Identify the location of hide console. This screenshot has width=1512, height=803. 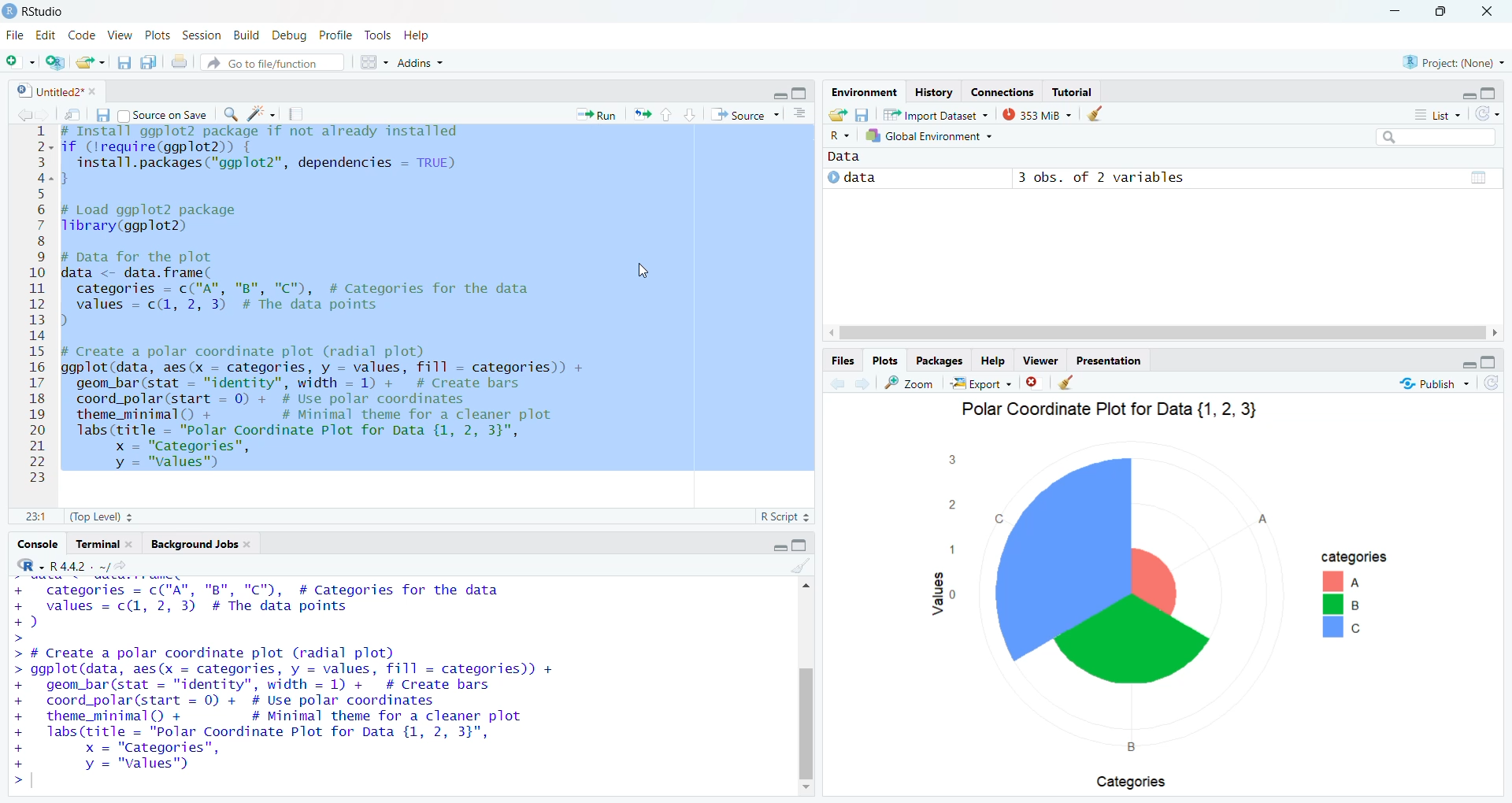
(1489, 362).